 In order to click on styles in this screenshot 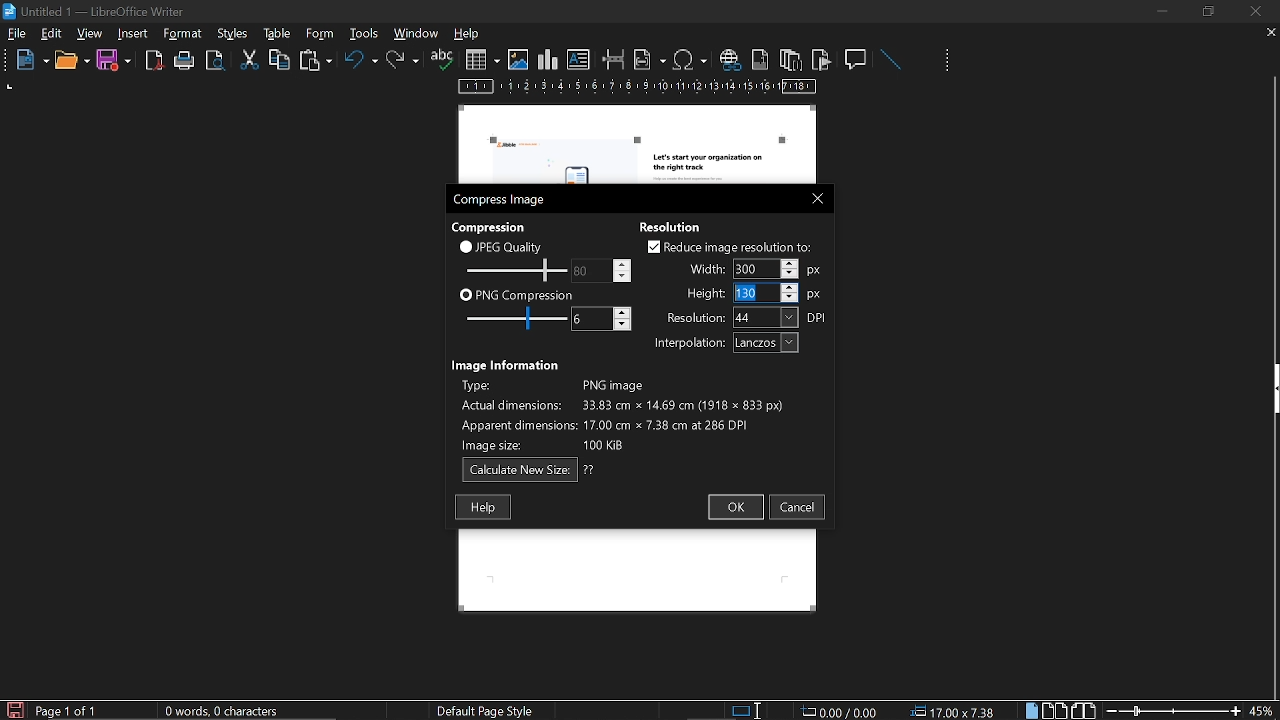, I will do `click(274, 33)`.